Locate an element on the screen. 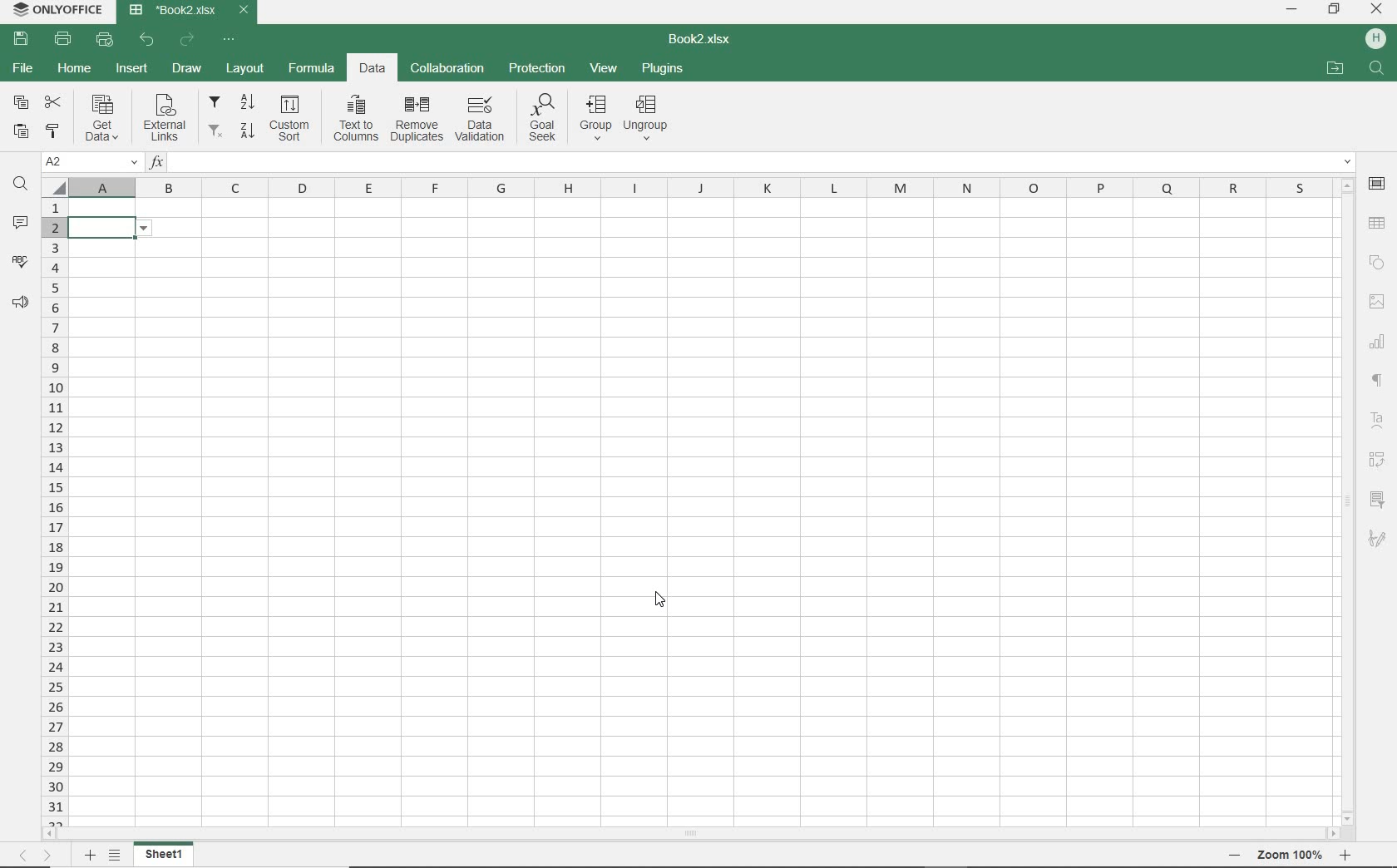  CLOSE TAB is located at coordinates (243, 11).